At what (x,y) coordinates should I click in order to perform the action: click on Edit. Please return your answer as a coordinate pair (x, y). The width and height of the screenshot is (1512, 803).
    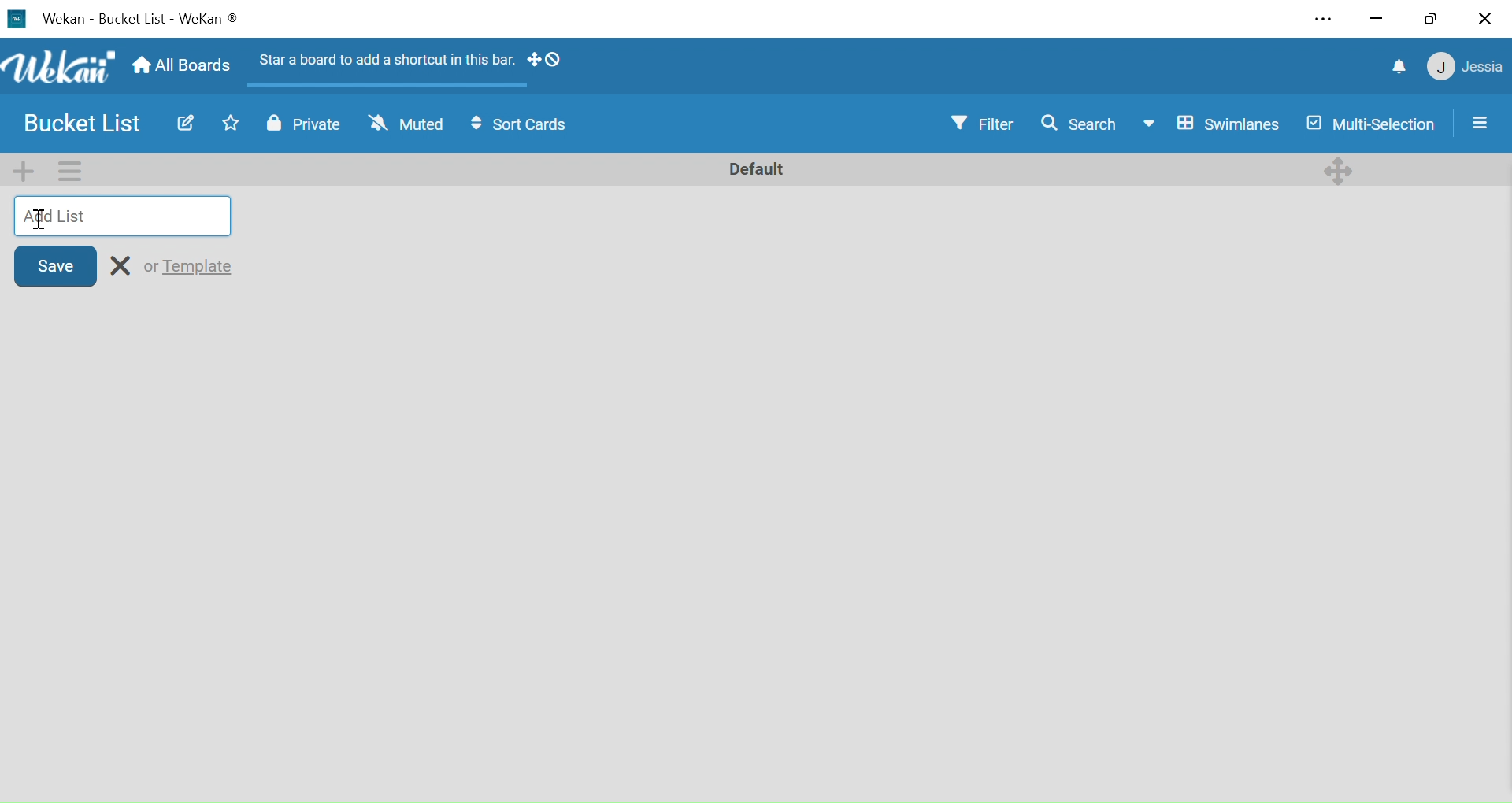
    Looking at the image, I should click on (183, 123).